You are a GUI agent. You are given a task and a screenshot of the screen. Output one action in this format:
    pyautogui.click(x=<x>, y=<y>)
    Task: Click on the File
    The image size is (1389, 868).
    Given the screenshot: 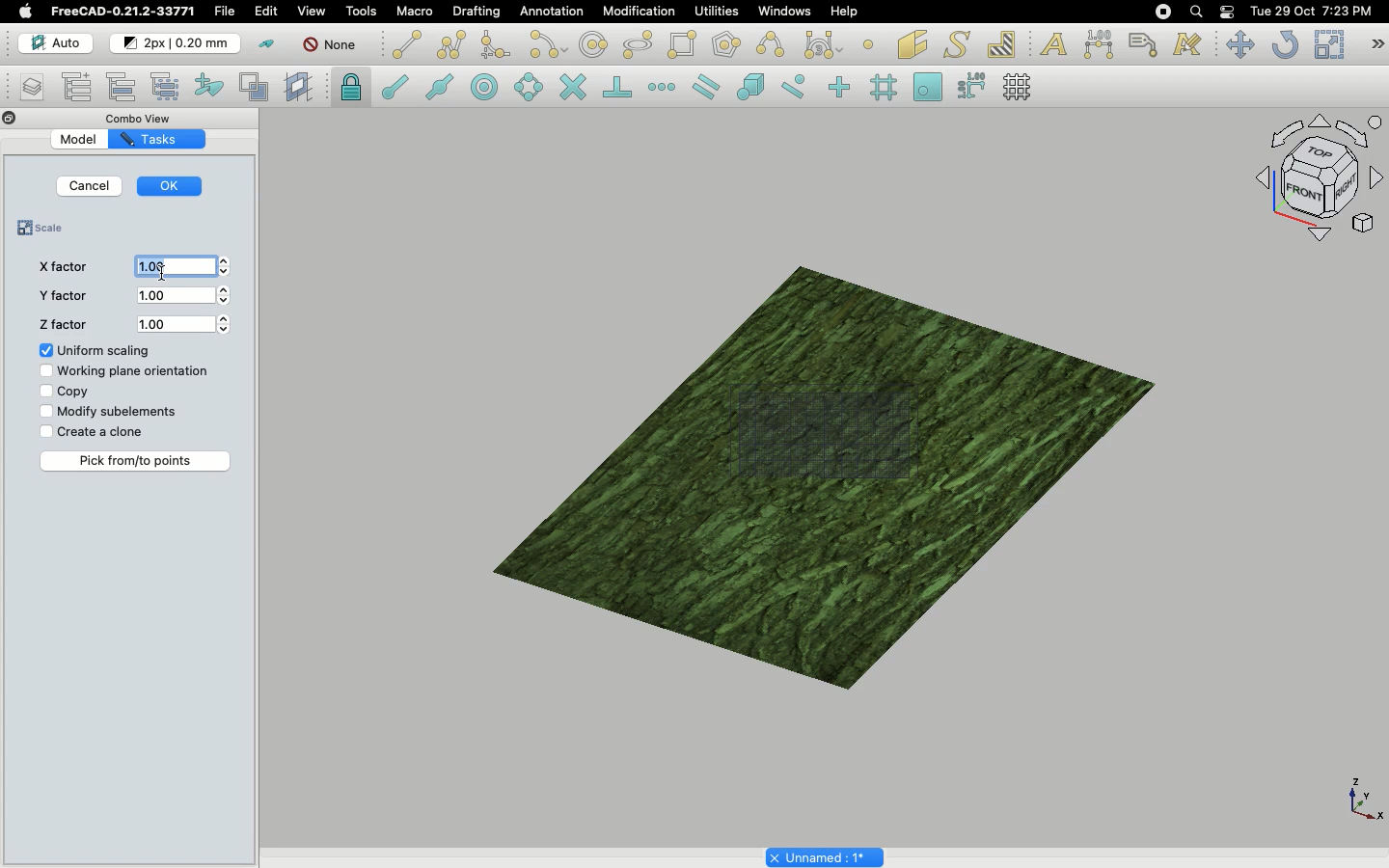 What is the action you would take?
    pyautogui.click(x=227, y=12)
    